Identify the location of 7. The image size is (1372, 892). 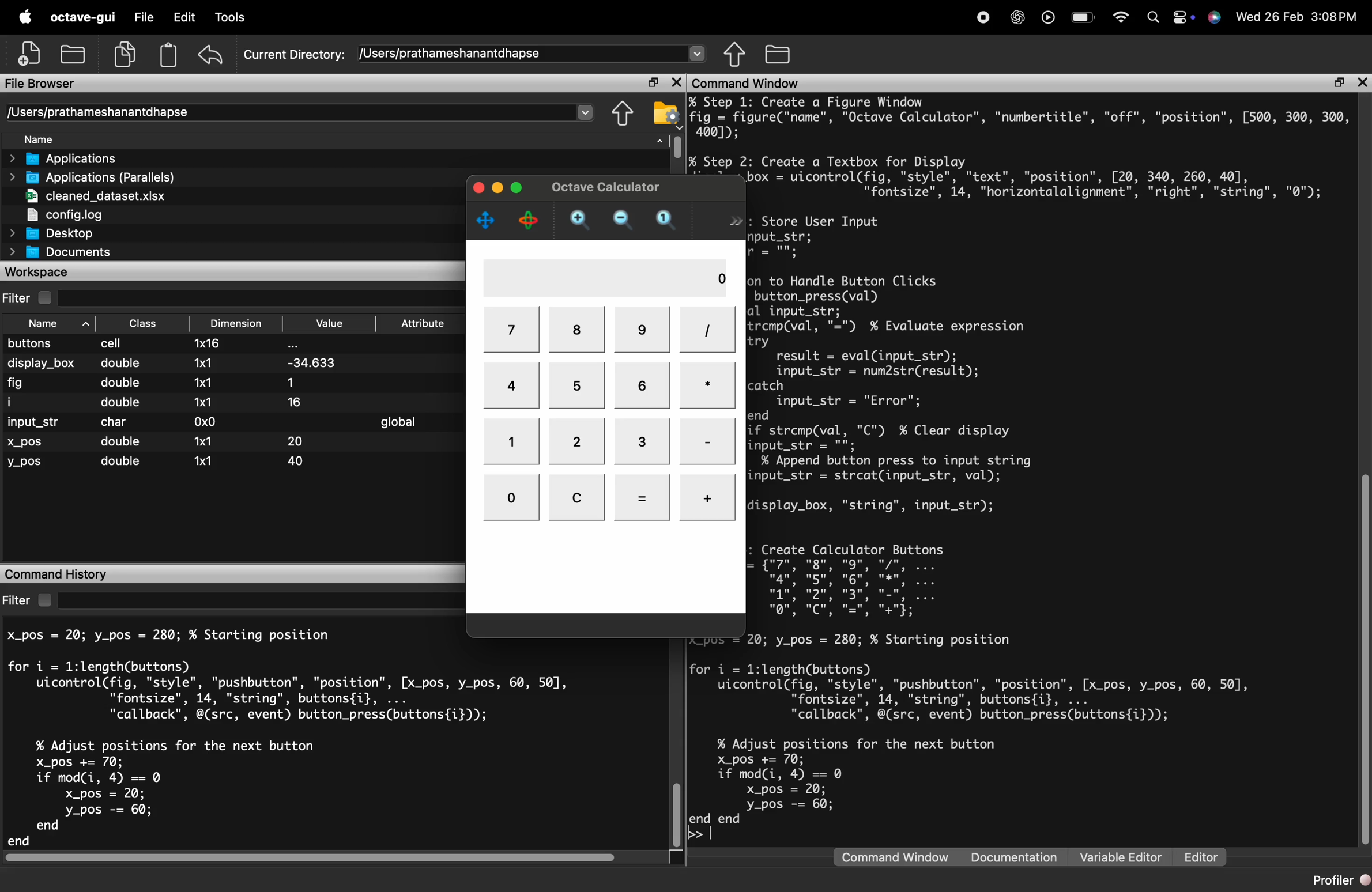
(512, 330).